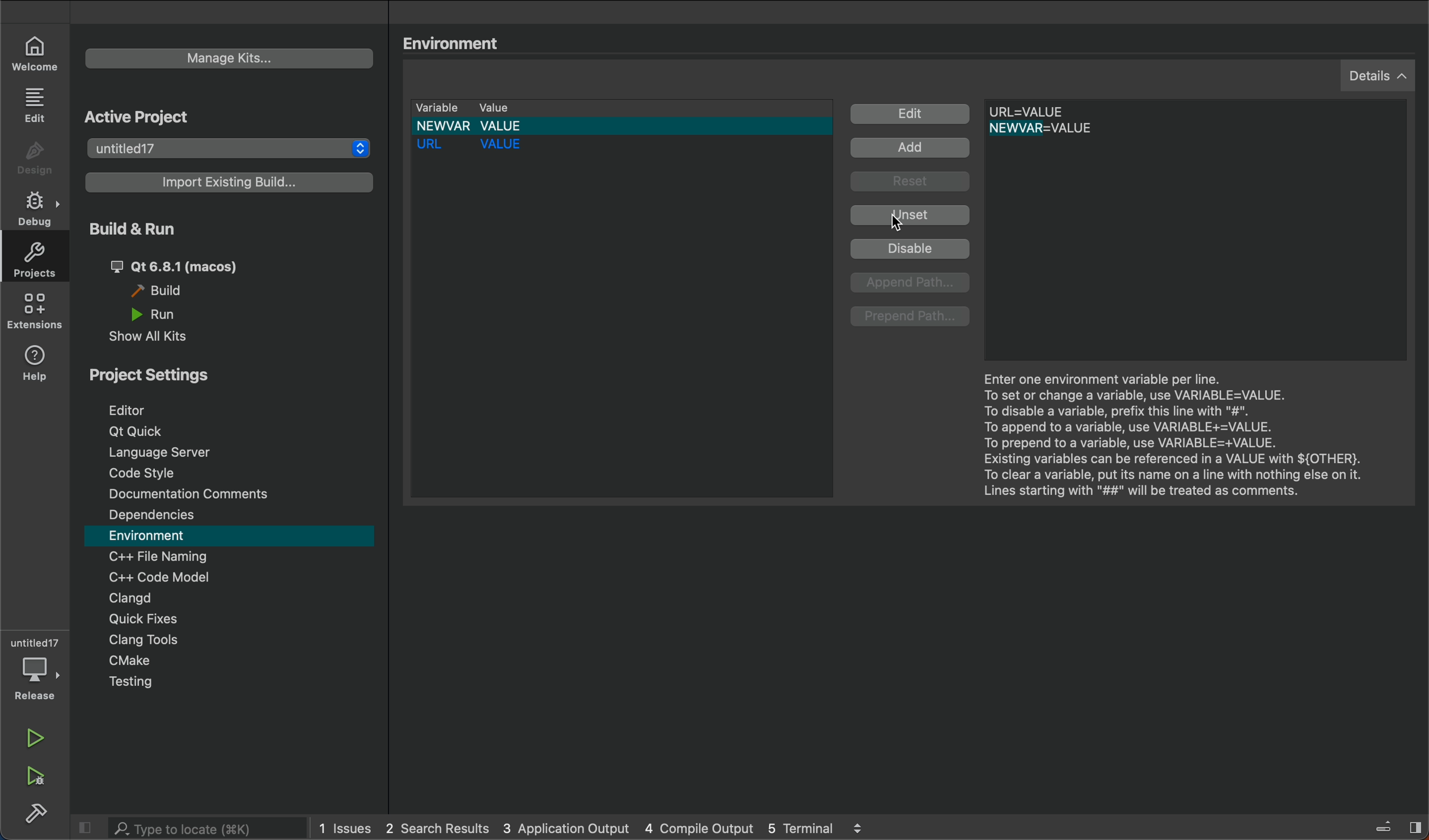 Image resolution: width=1429 pixels, height=840 pixels. I want to click on extensions, so click(36, 315).